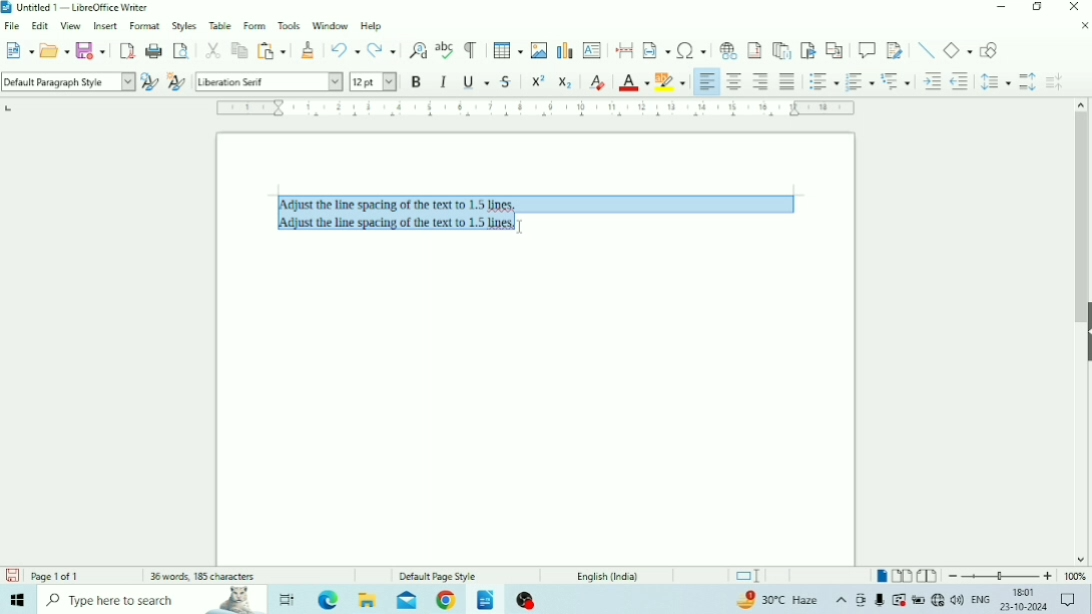  Describe the element at coordinates (656, 49) in the screenshot. I see `Insert Field` at that location.